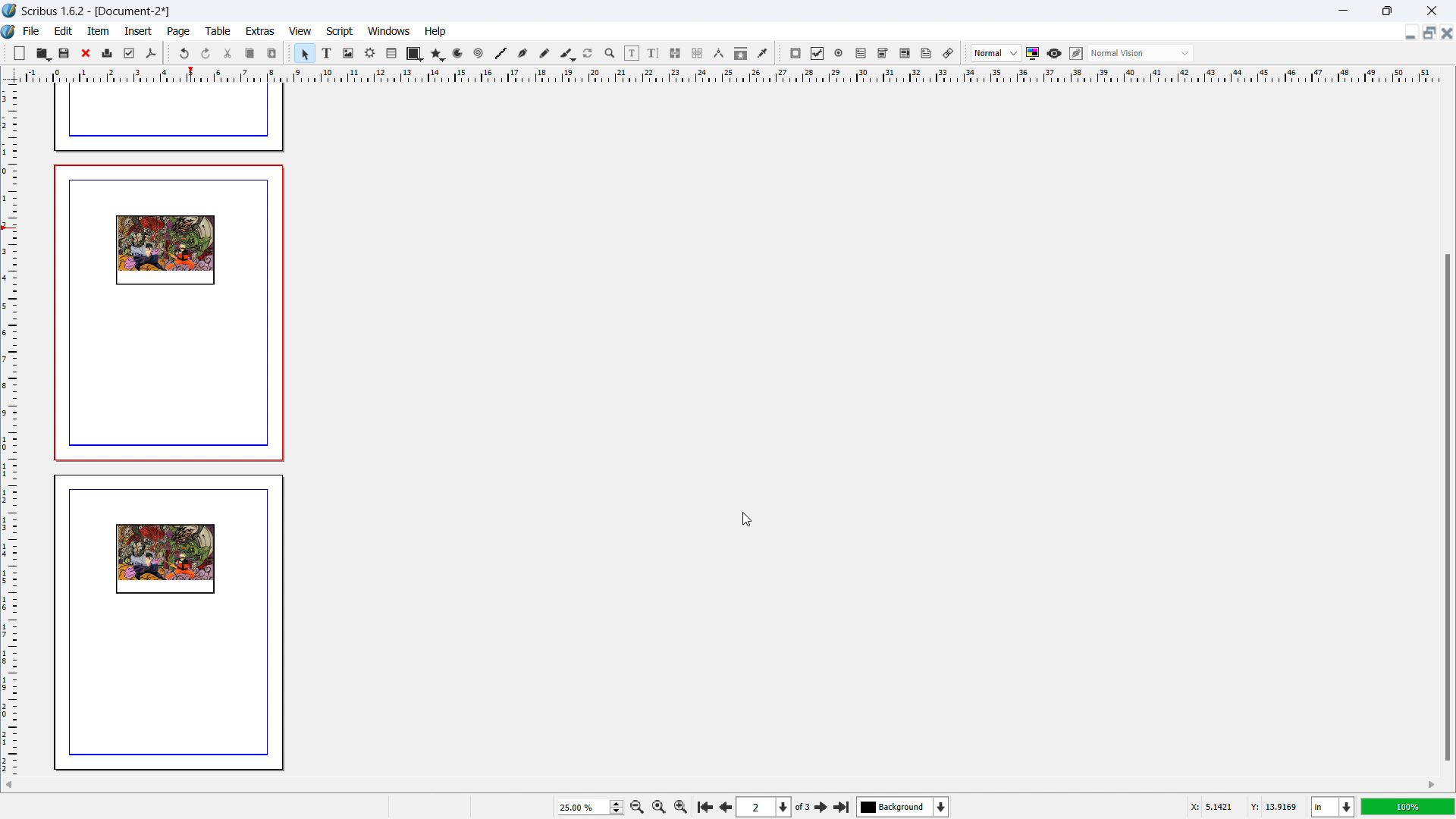  What do you see at coordinates (903, 807) in the screenshot?
I see `select the current layer` at bounding box center [903, 807].